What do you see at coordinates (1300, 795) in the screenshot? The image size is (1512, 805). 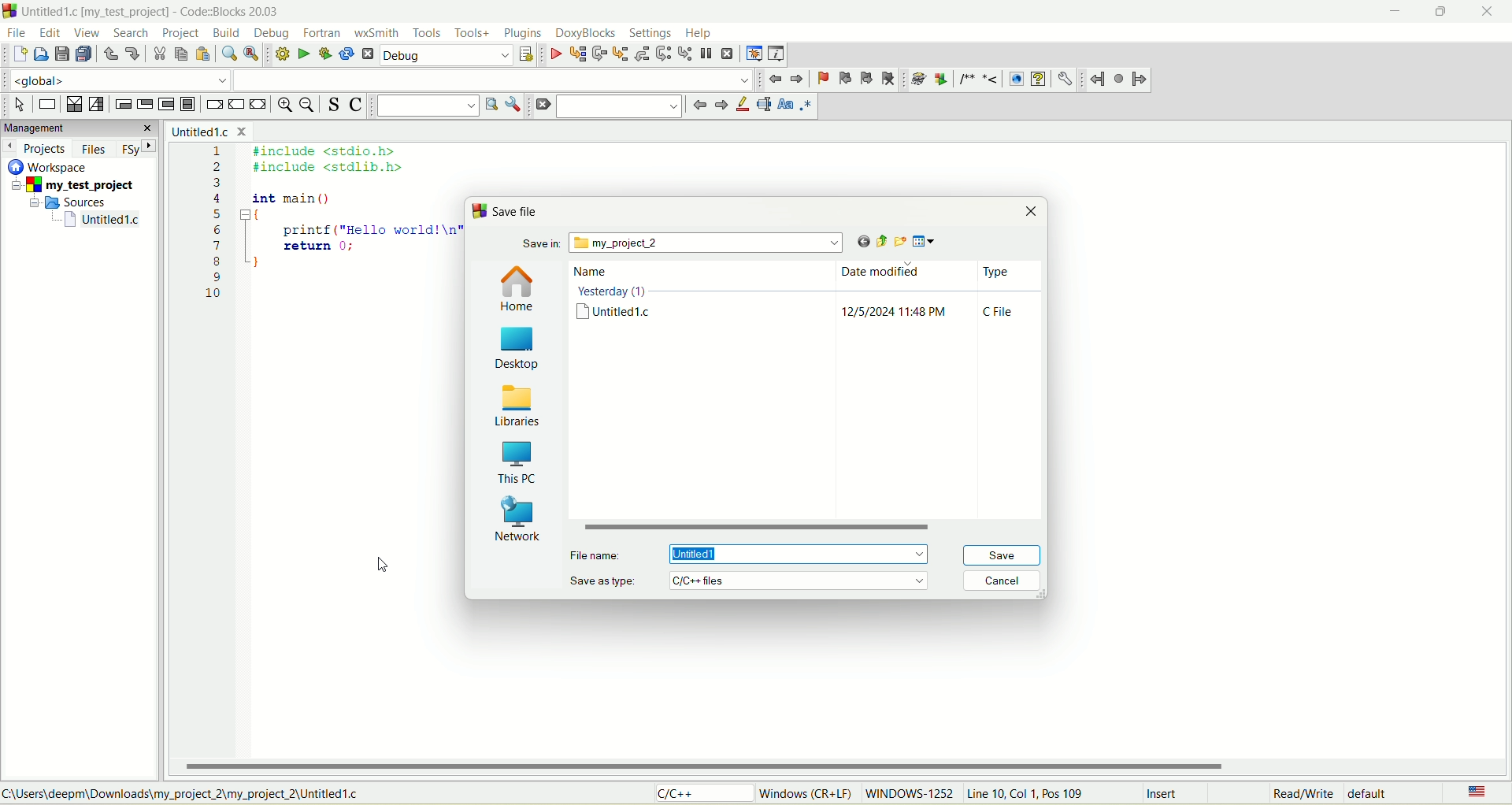 I see `read/write` at bounding box center [1300, 795].